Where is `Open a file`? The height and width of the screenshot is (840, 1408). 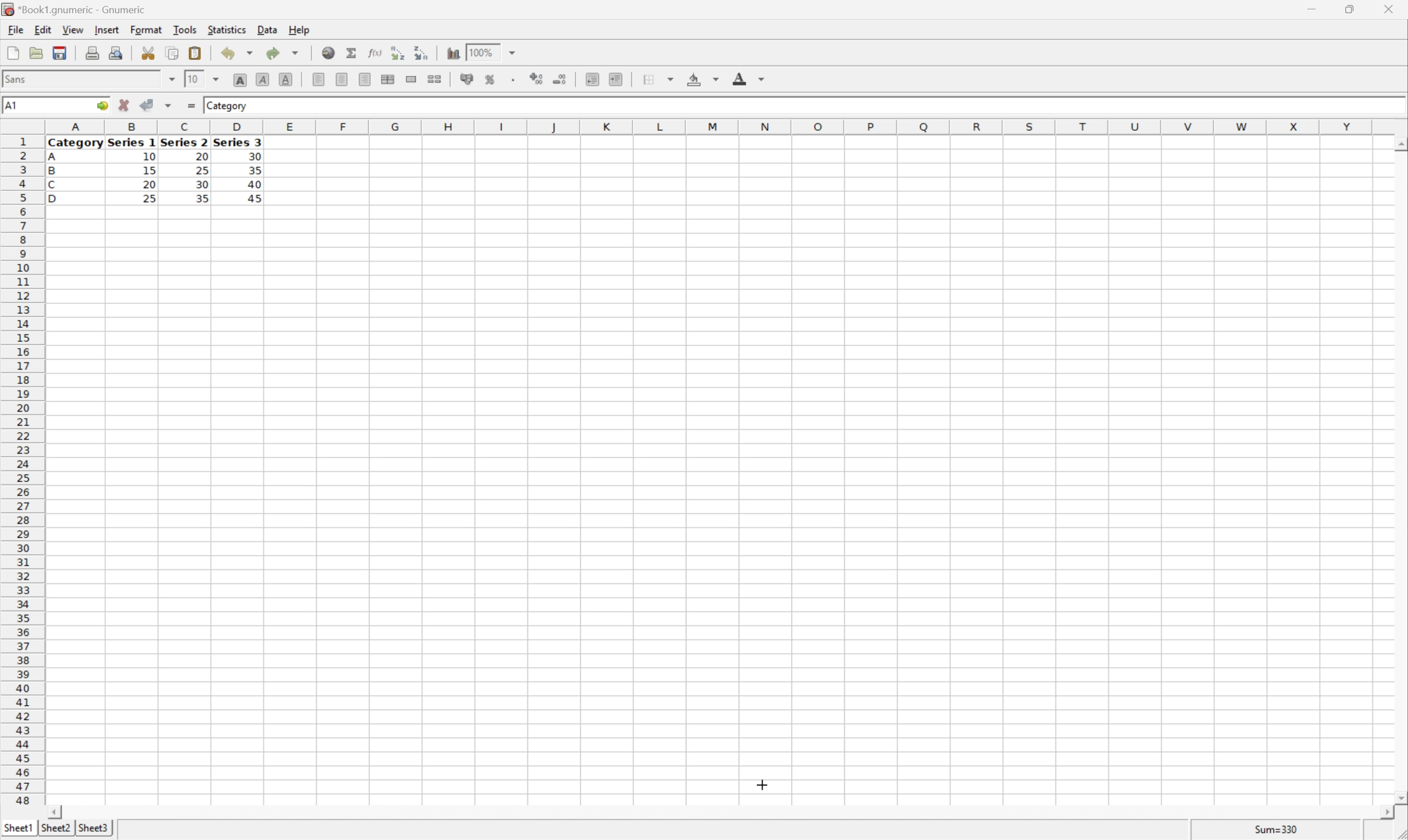 Open a file is located at coordinates (35, 53).